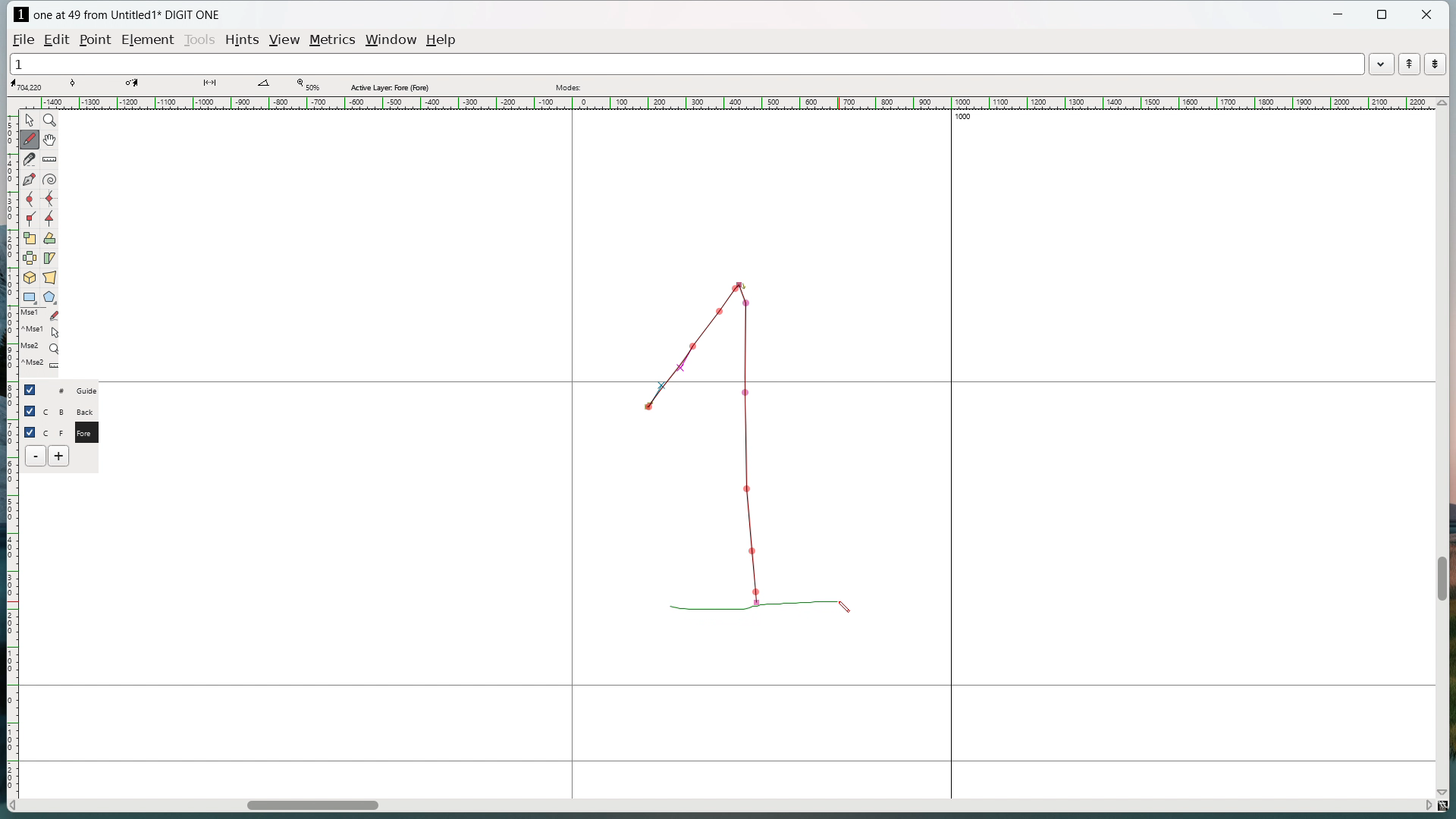  Describe the element at coordinates (391, 86) in the screenshot. I see `Active layer fore` at that location.